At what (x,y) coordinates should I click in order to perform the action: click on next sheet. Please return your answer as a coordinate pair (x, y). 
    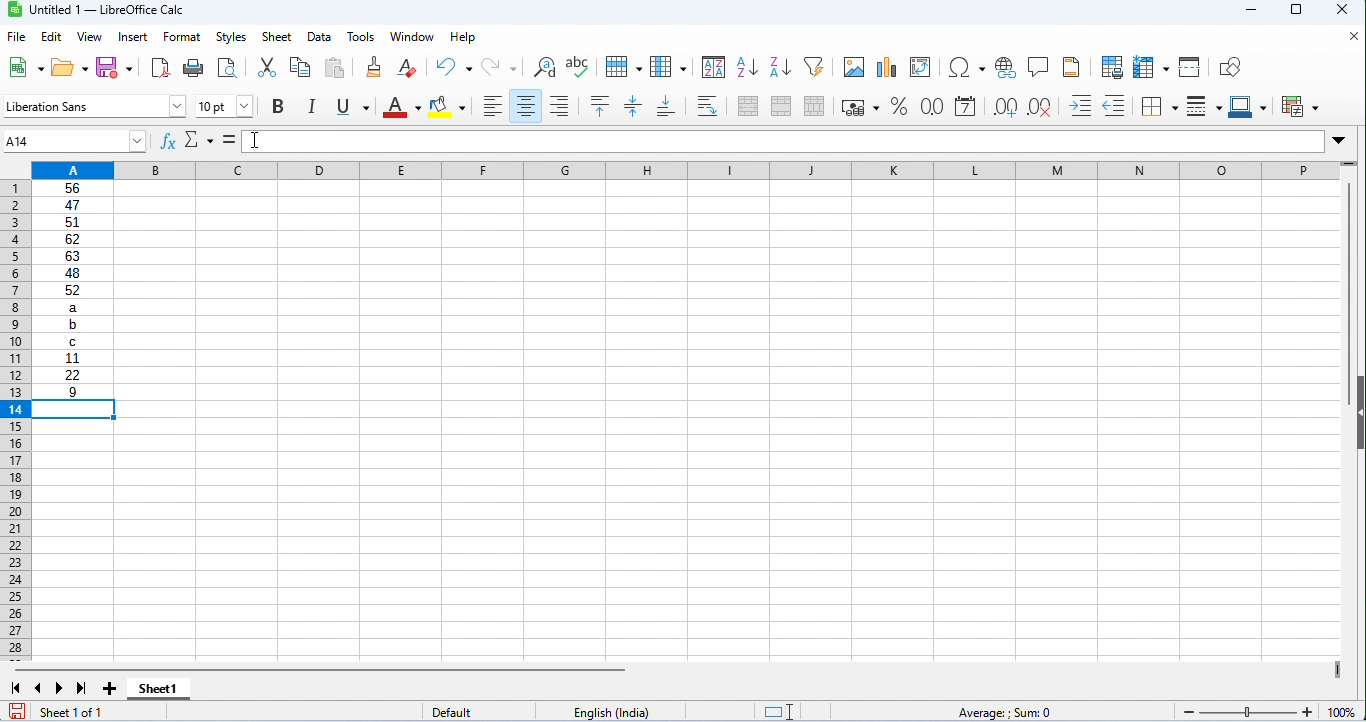
    Looking at the image, I should click on (60, 688).